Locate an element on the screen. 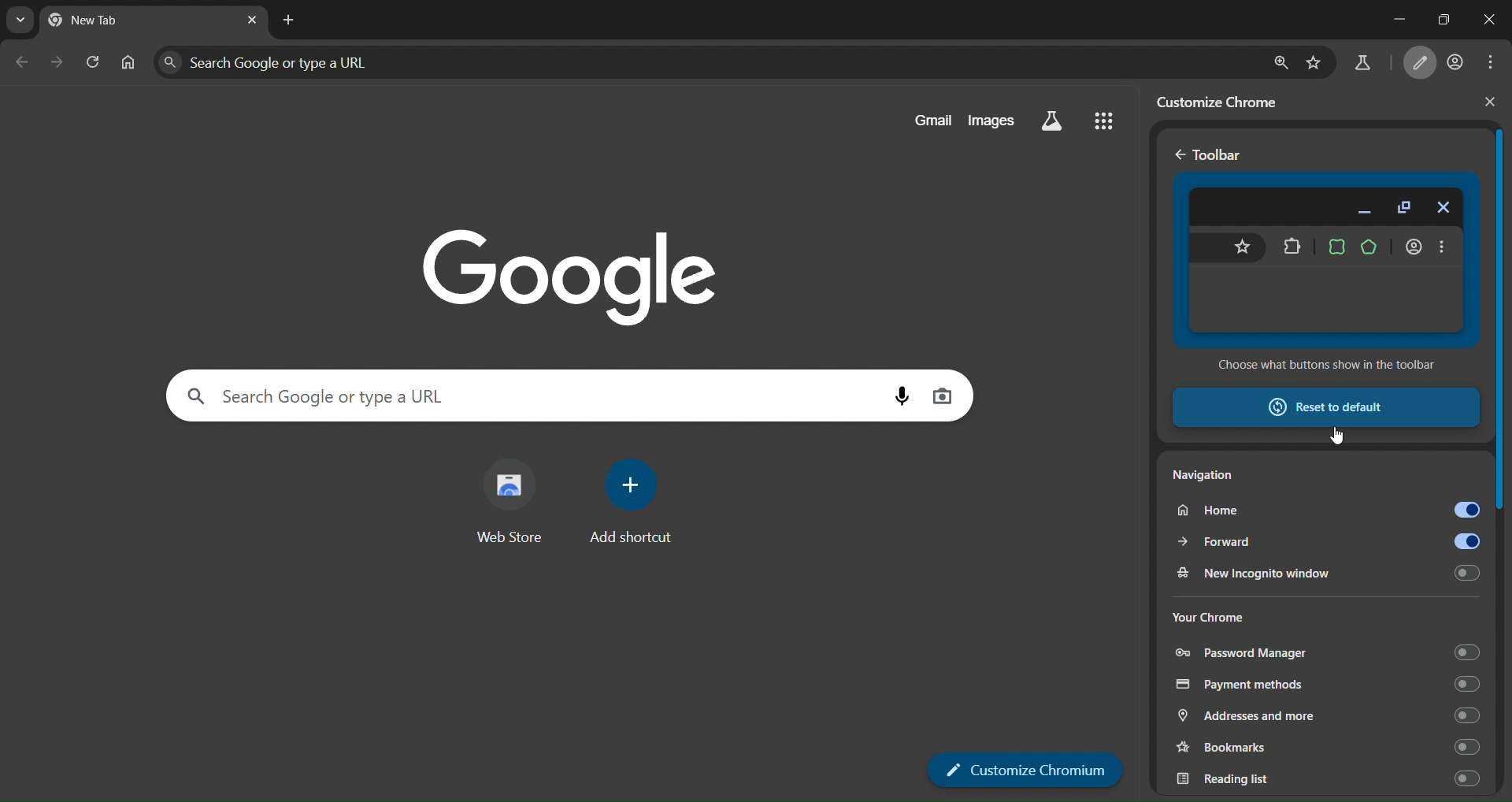  go back one page is located at coordinates (20, 64).